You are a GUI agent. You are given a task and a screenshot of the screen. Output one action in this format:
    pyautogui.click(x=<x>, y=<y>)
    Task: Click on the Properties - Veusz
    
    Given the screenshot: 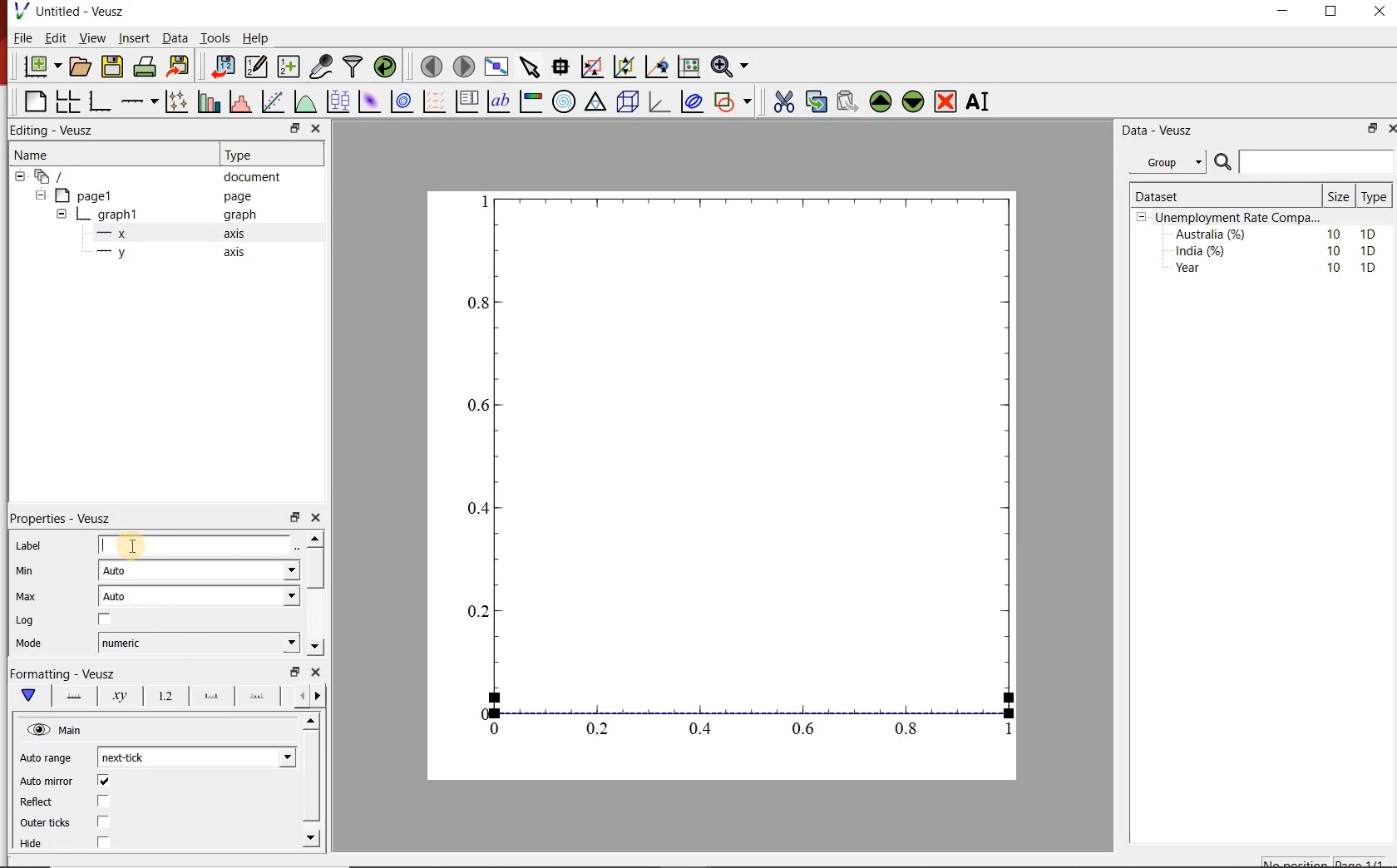 What is the action you would take?
    pyautogui.click(x=63, y=520)
    